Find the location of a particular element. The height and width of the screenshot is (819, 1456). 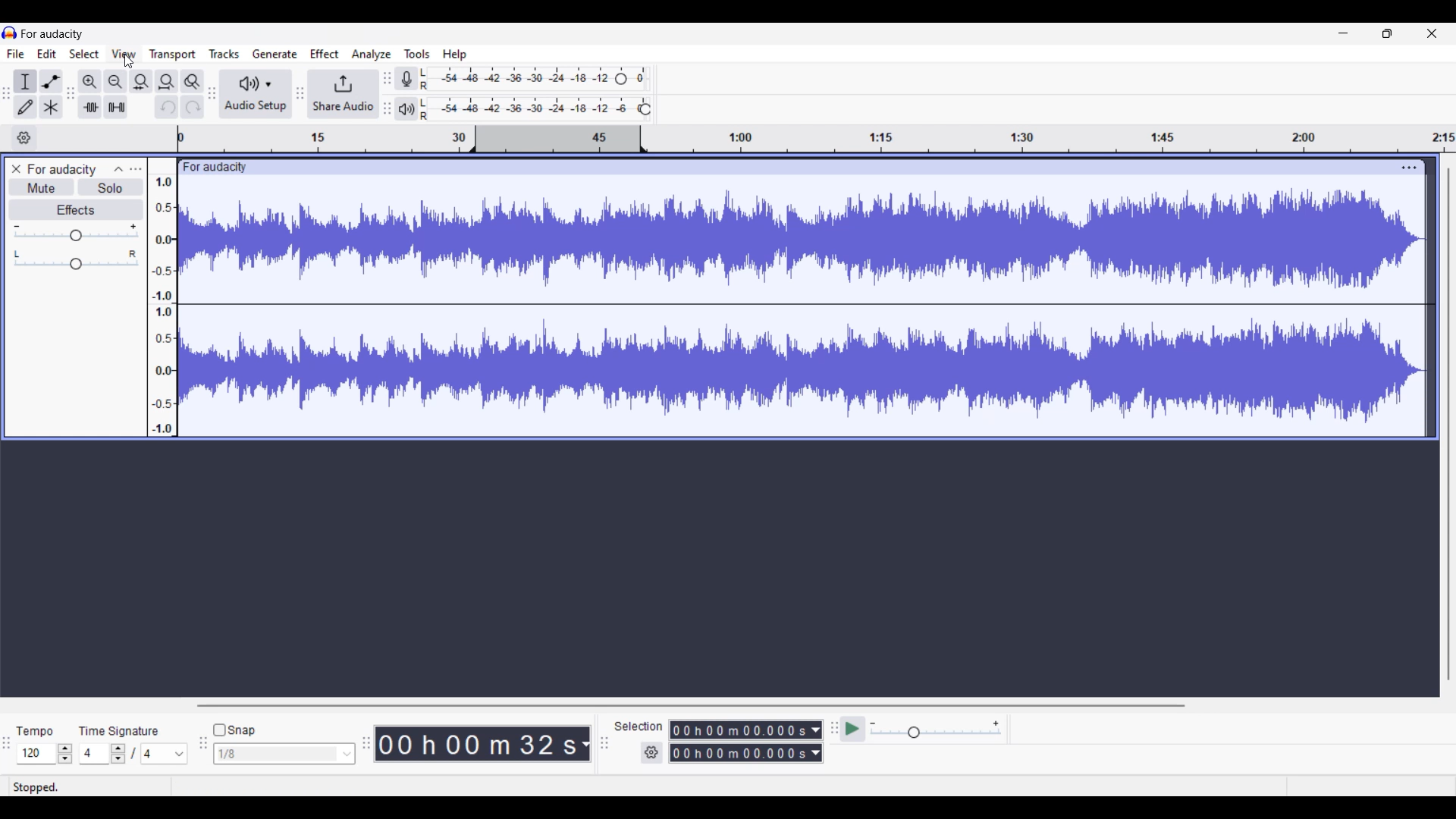

Minimize is located at coordinates (1344, 33).